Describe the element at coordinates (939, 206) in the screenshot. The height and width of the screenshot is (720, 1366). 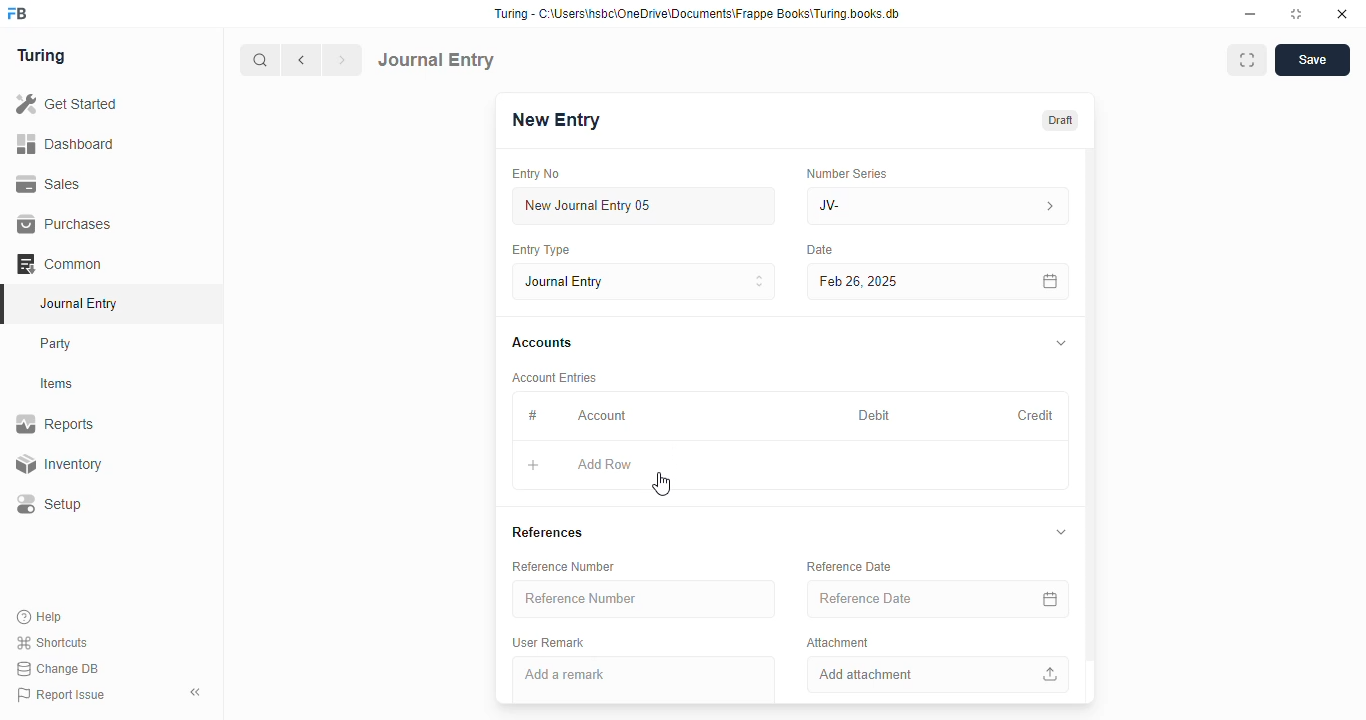
I see `JV-` at that location.